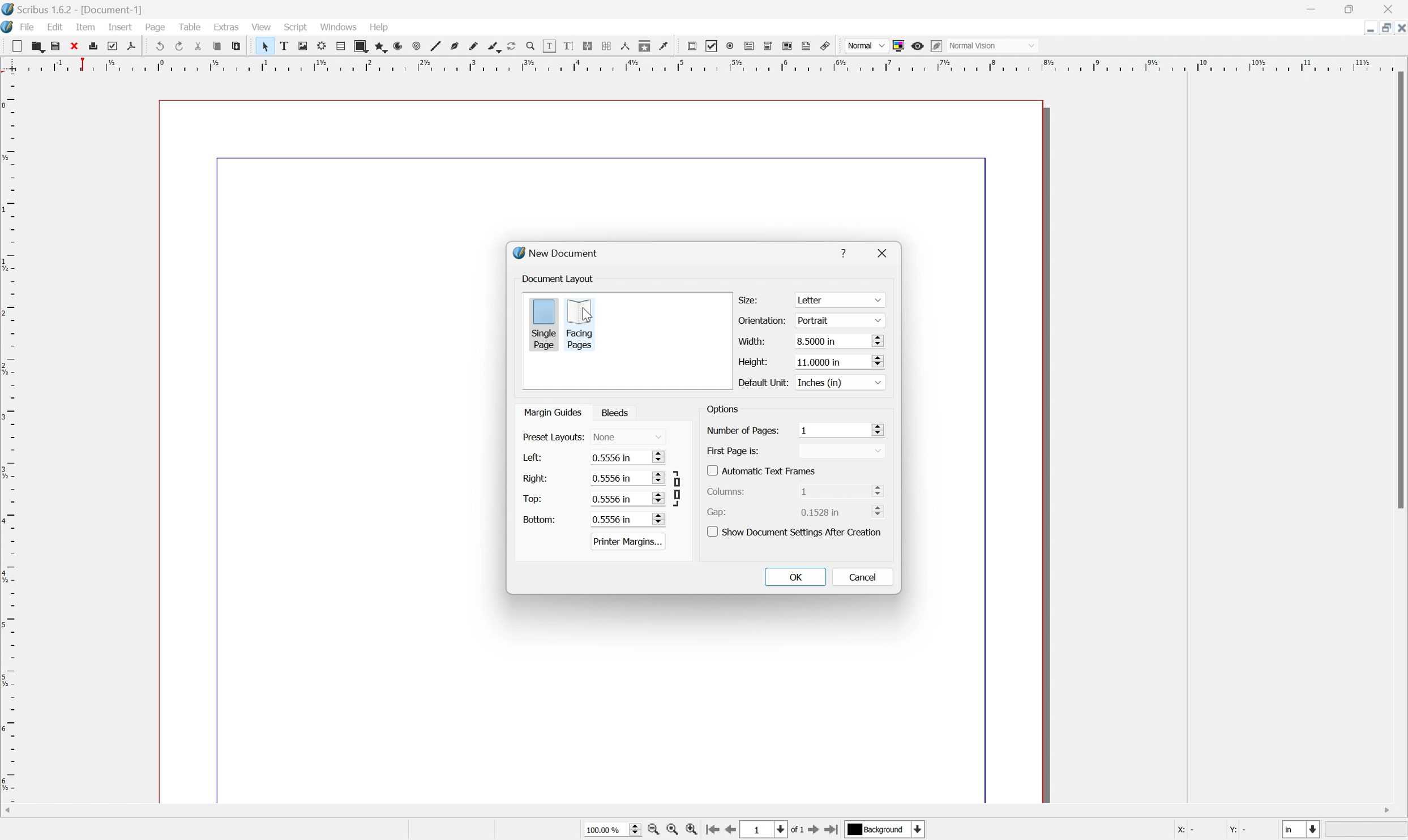 The height and width of the screenshot is (840, 1408). Describe the element at coordinates (840, 300) in the screenshot. I see `letter` at that location.